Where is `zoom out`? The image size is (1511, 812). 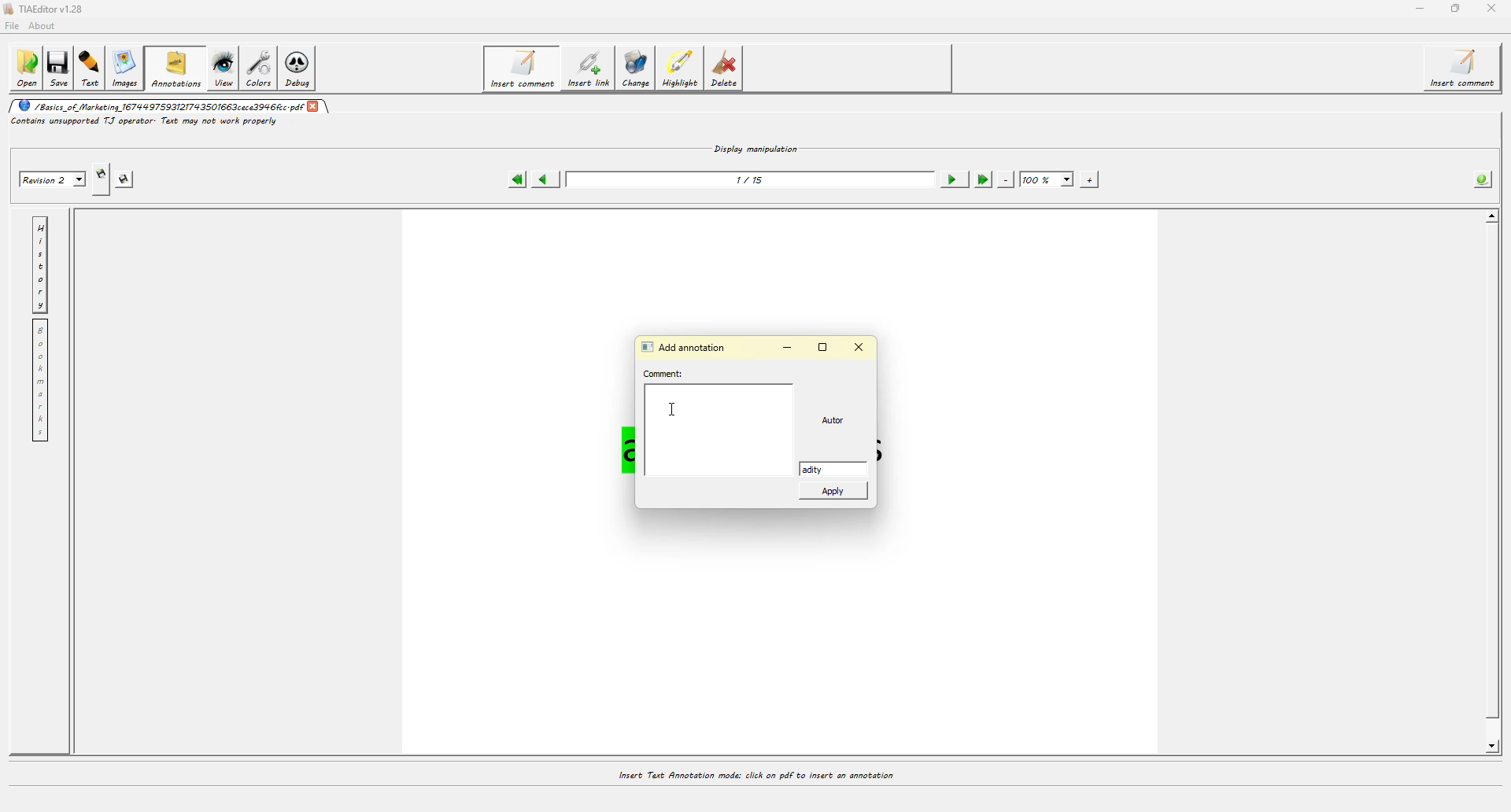
zoom out is located at coordinates (1006, 179).